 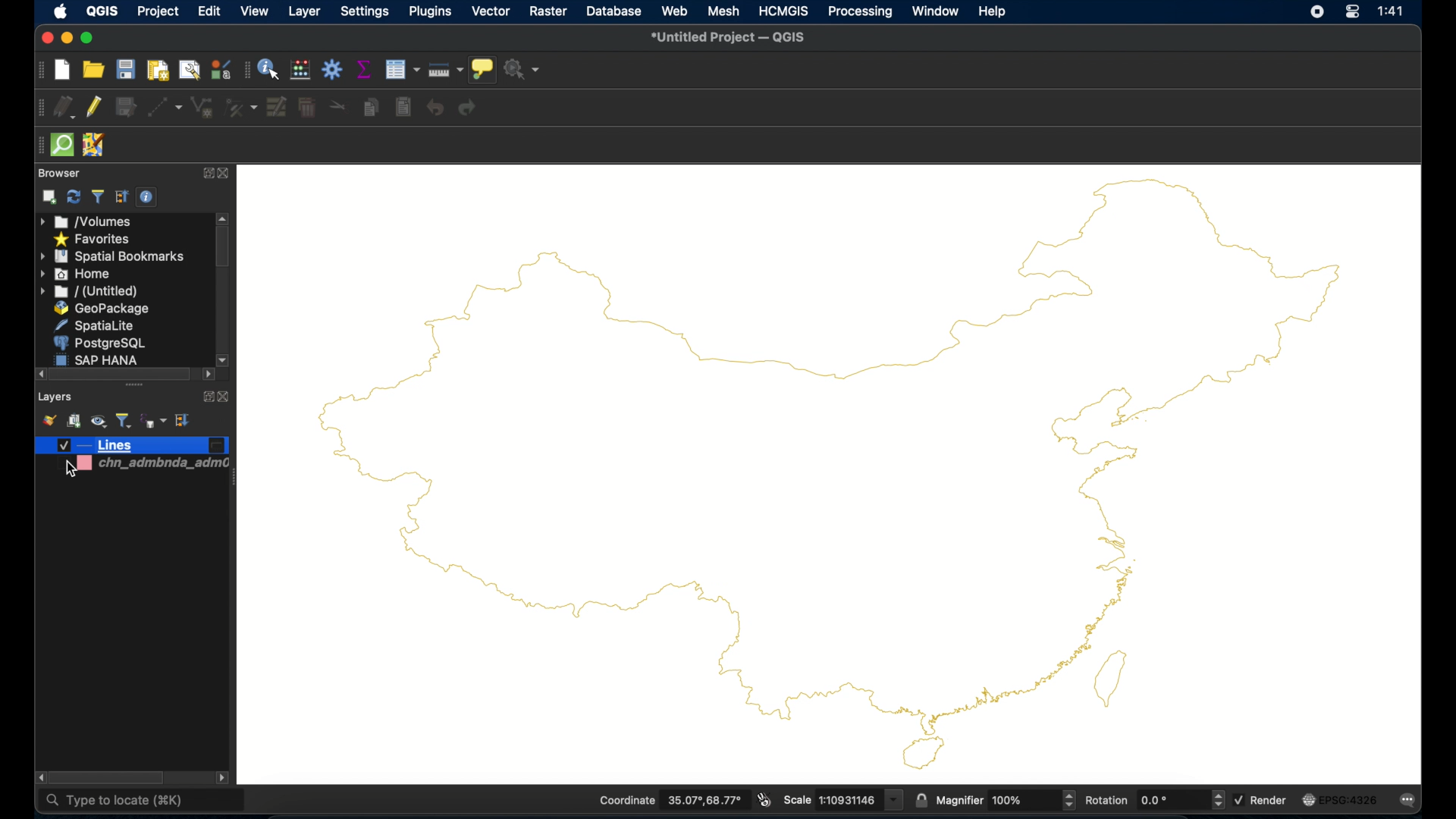 I want to click on filter bowser, so click(x=96, y=196).